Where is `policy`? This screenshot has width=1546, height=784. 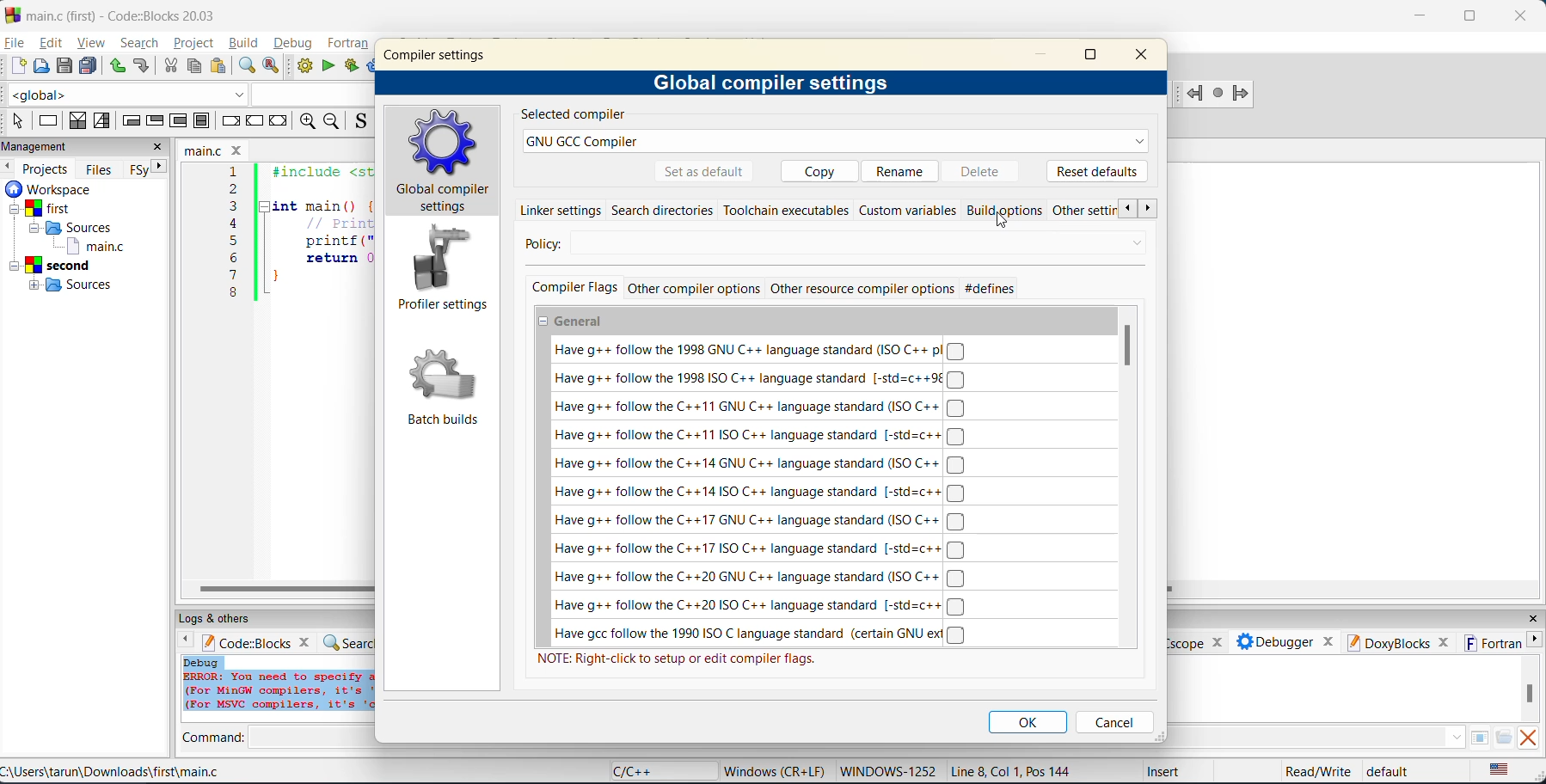 policy is located at coordinates (825, 244).